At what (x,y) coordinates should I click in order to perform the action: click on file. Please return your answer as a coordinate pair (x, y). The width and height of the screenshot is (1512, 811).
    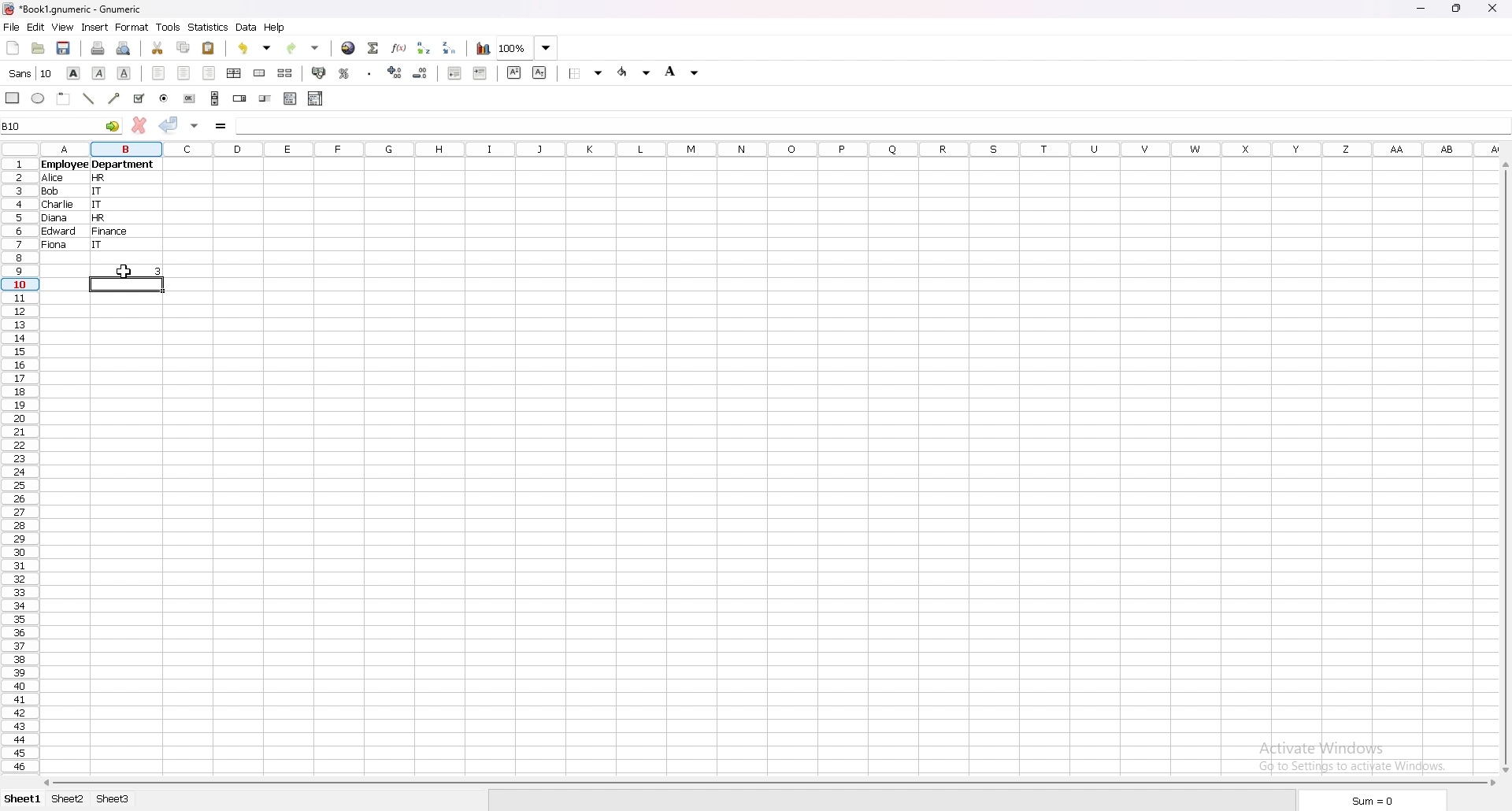
    Looking at the image, I should click on (12, 27).